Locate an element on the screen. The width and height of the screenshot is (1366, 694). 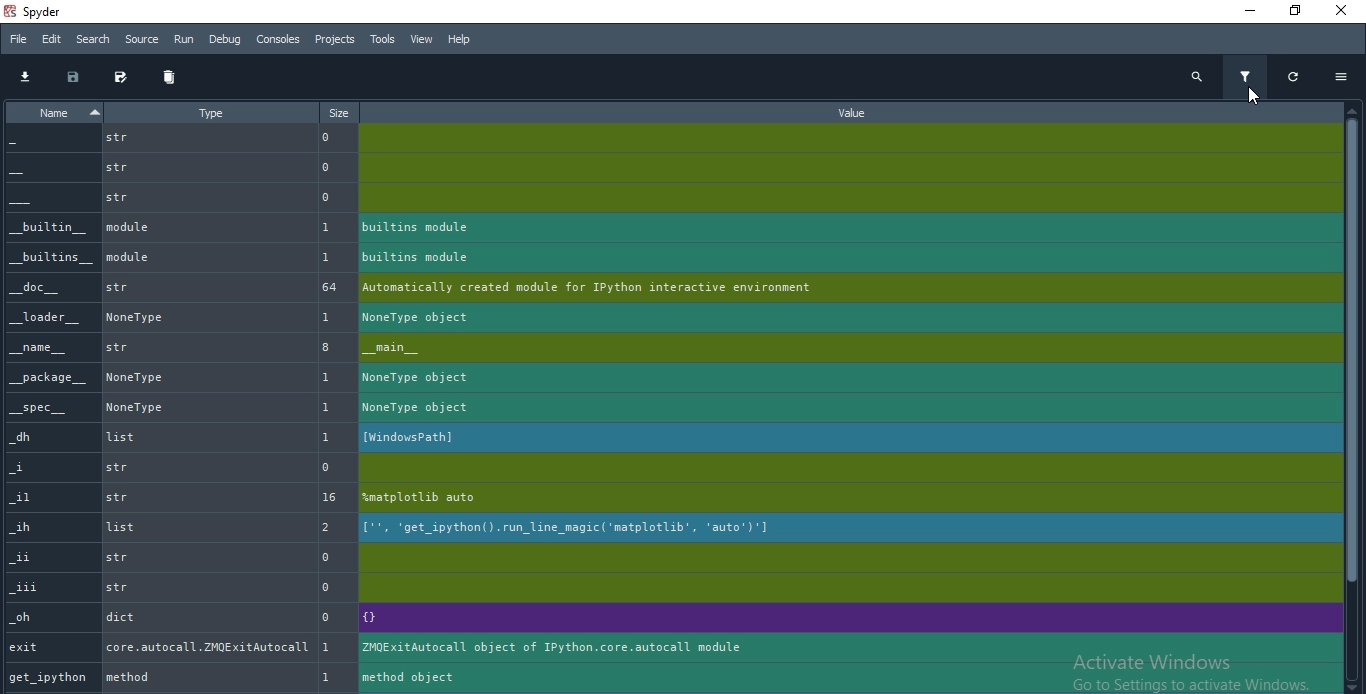
Help is located at coordinates (459, 40).